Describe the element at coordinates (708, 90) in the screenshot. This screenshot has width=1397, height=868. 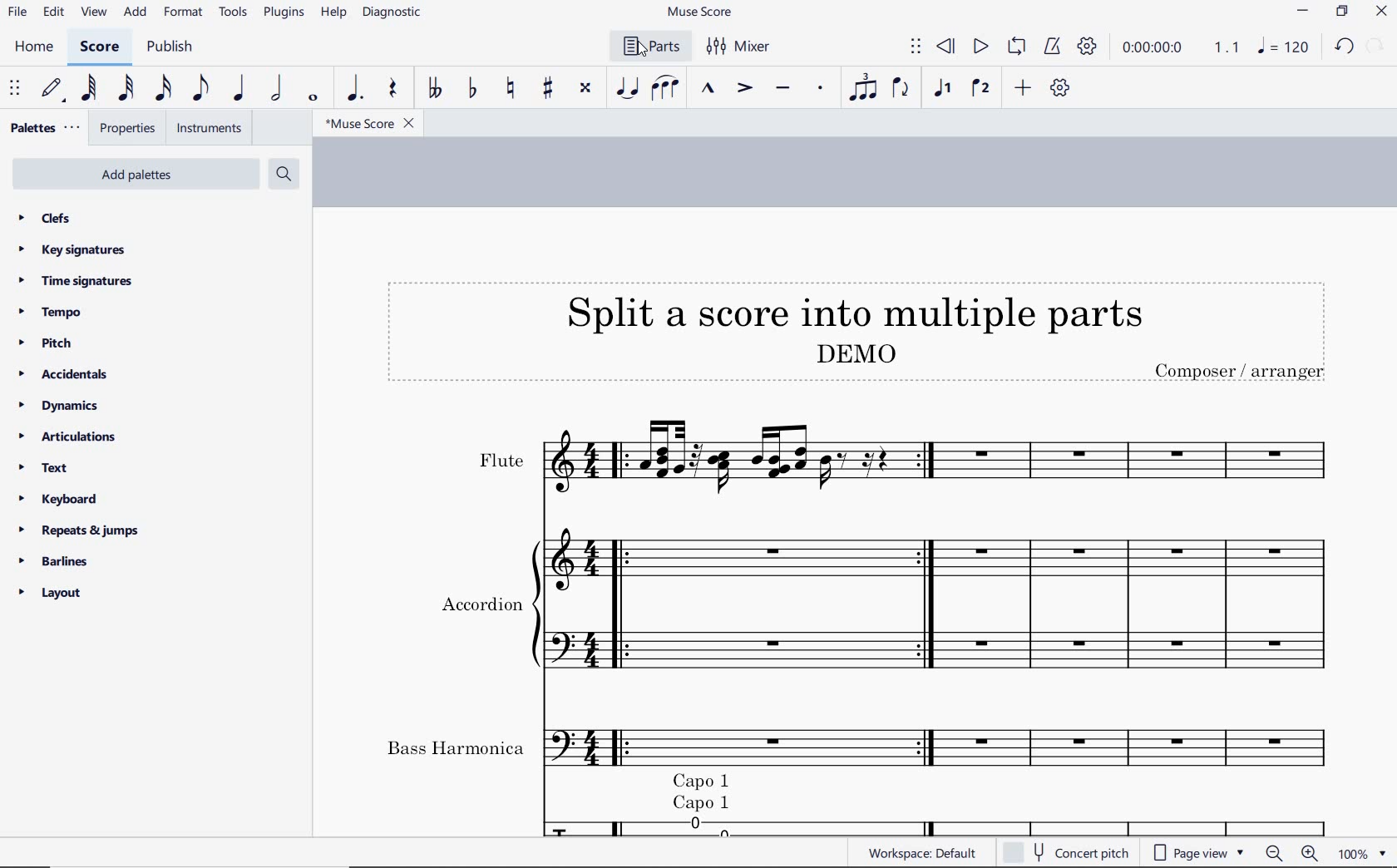
I see `marcato` at that location.